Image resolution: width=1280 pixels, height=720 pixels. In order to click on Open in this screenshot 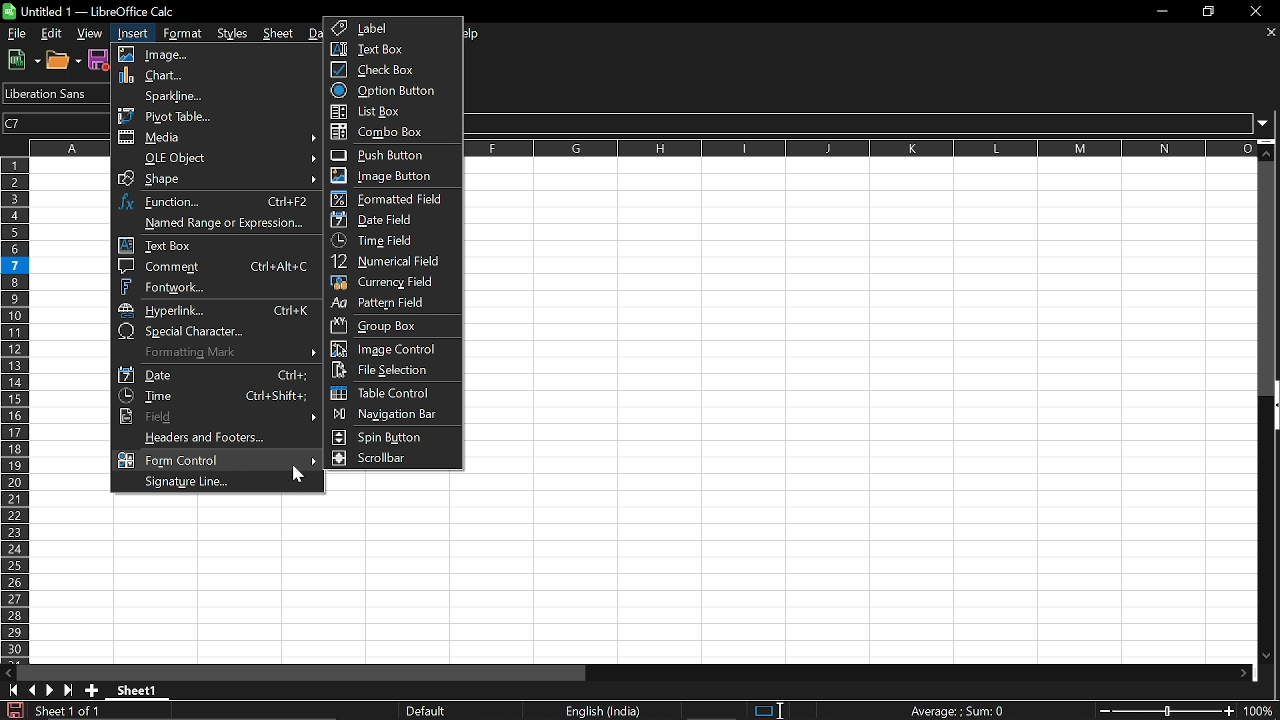, I will do `click(64, 60)`.